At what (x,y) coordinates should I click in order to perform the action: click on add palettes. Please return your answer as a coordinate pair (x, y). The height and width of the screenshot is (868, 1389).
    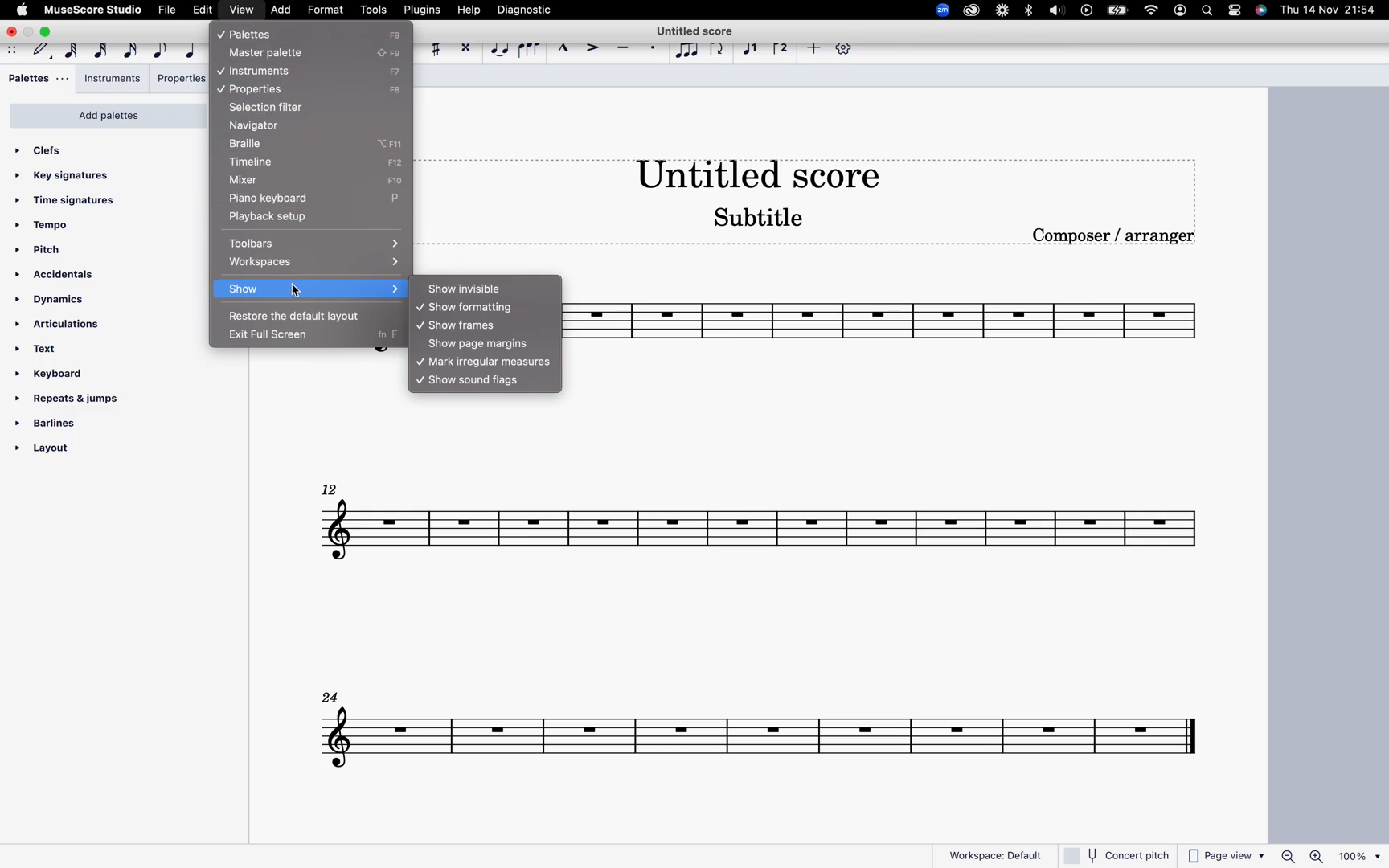
    Looking at the image, I should click on (109, 115).